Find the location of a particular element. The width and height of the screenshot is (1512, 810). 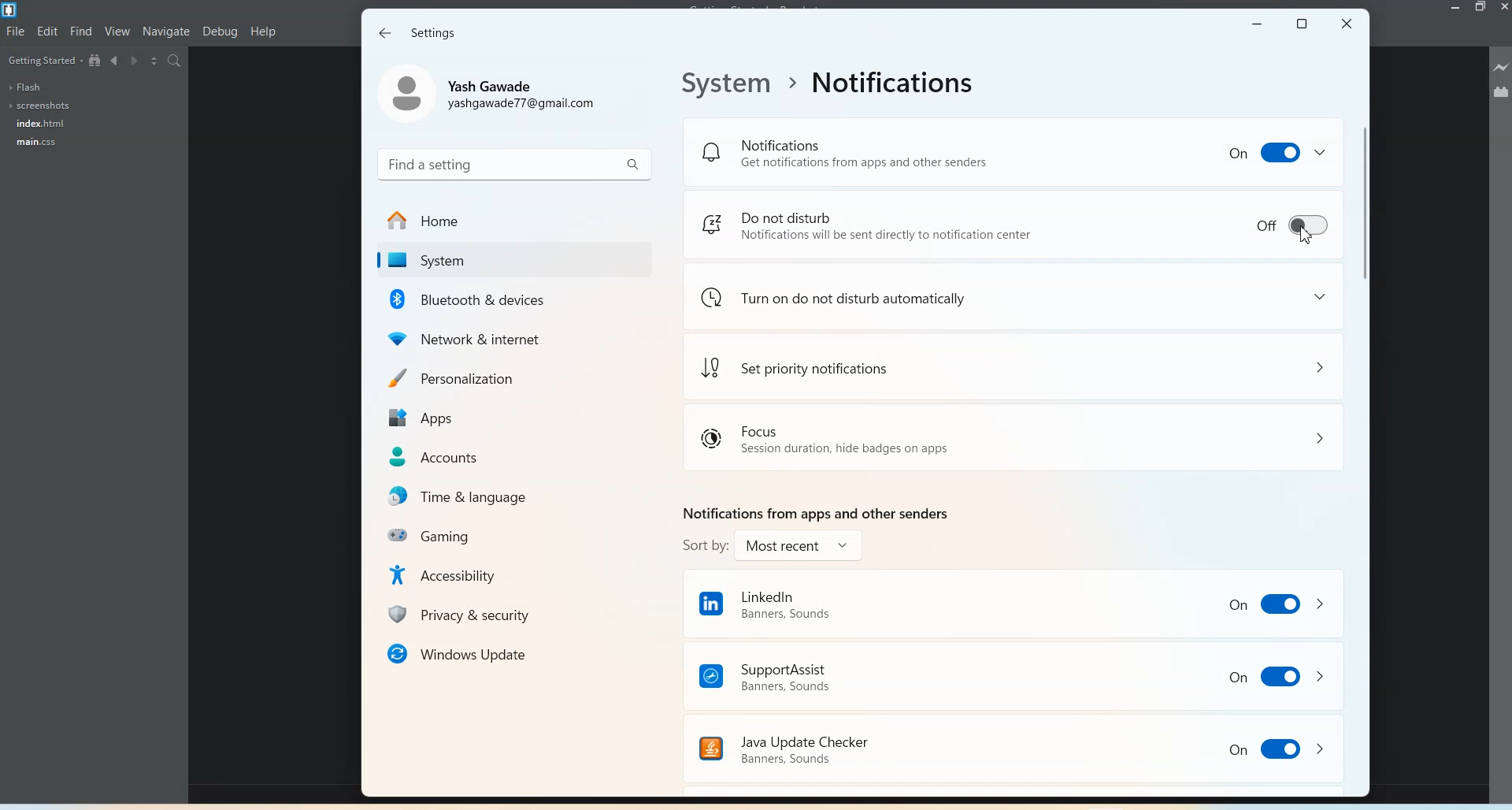

Find is located at coordinates (82, 31).